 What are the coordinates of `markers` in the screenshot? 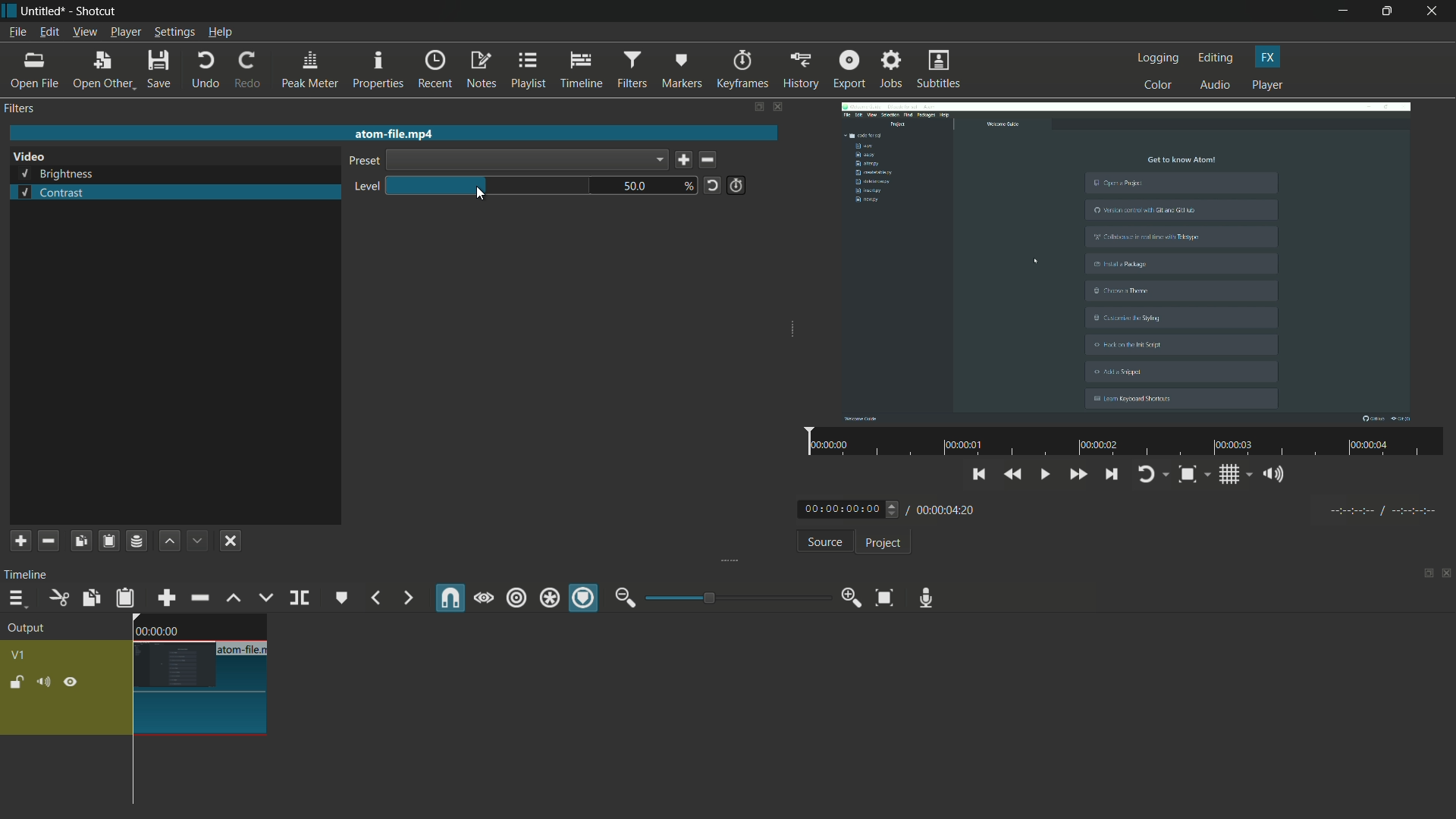 It's located at (682, 69).